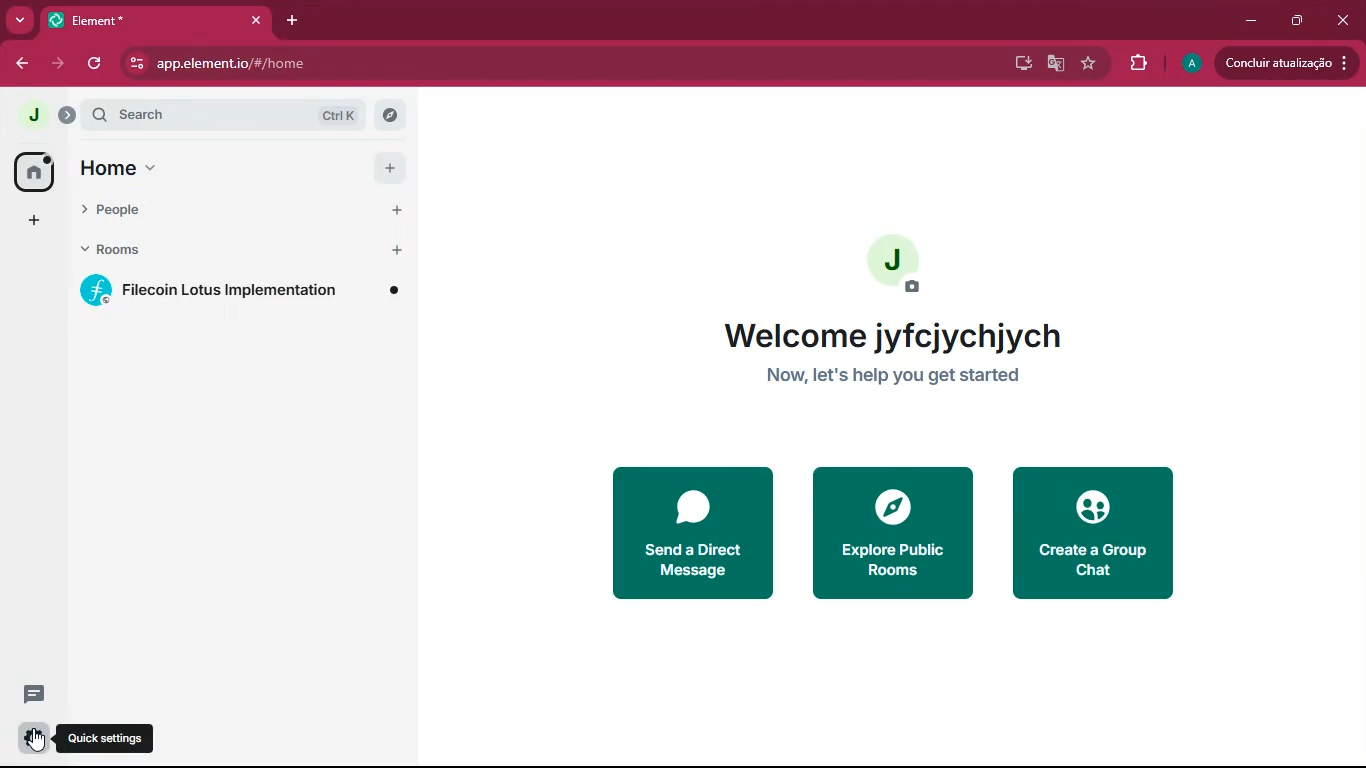 This screenshot has width=1366, height=768. I want to click on add, so click(32, 220).